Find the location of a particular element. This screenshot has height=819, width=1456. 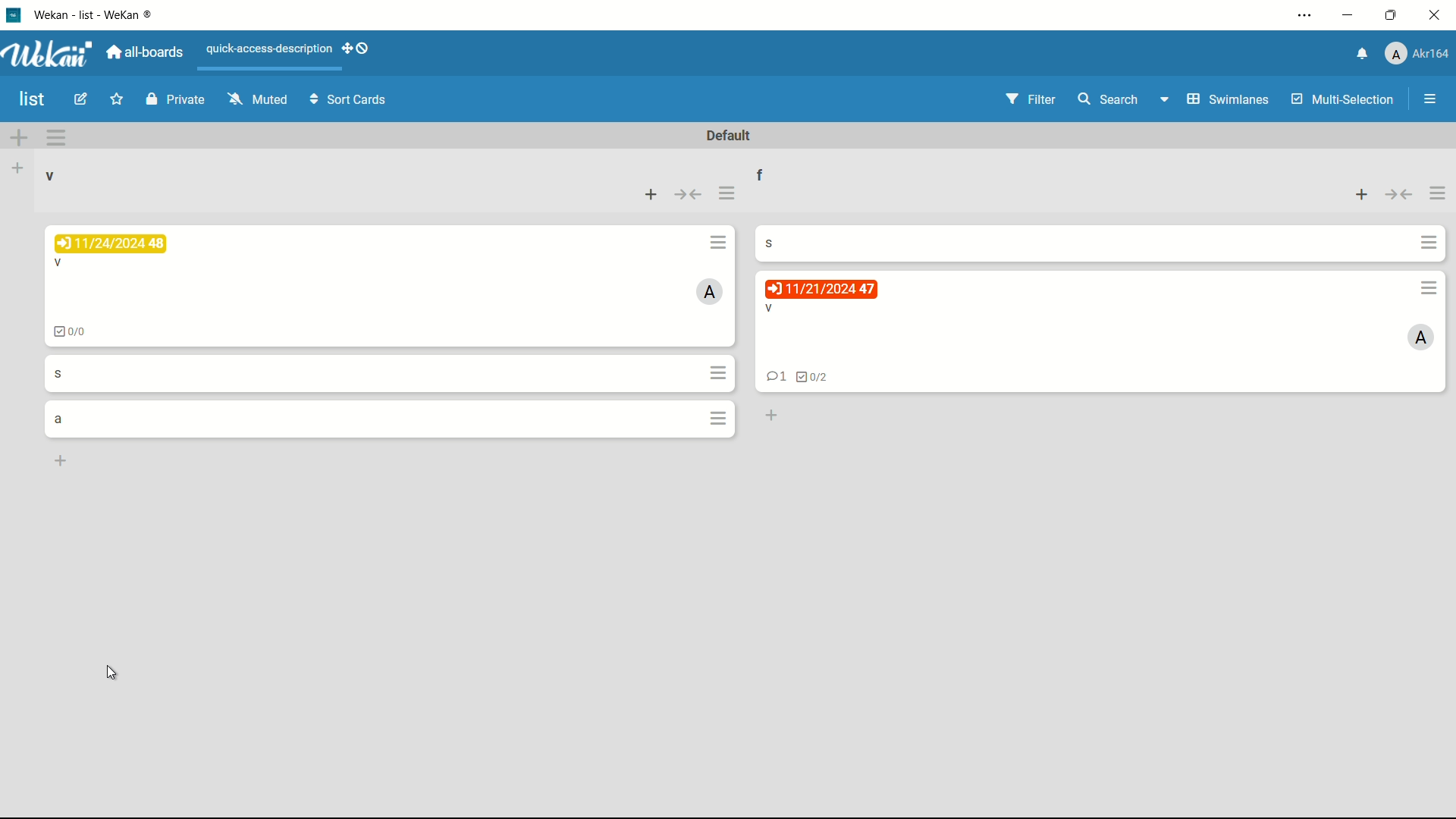

checklist is located at coordinates (813, 378).